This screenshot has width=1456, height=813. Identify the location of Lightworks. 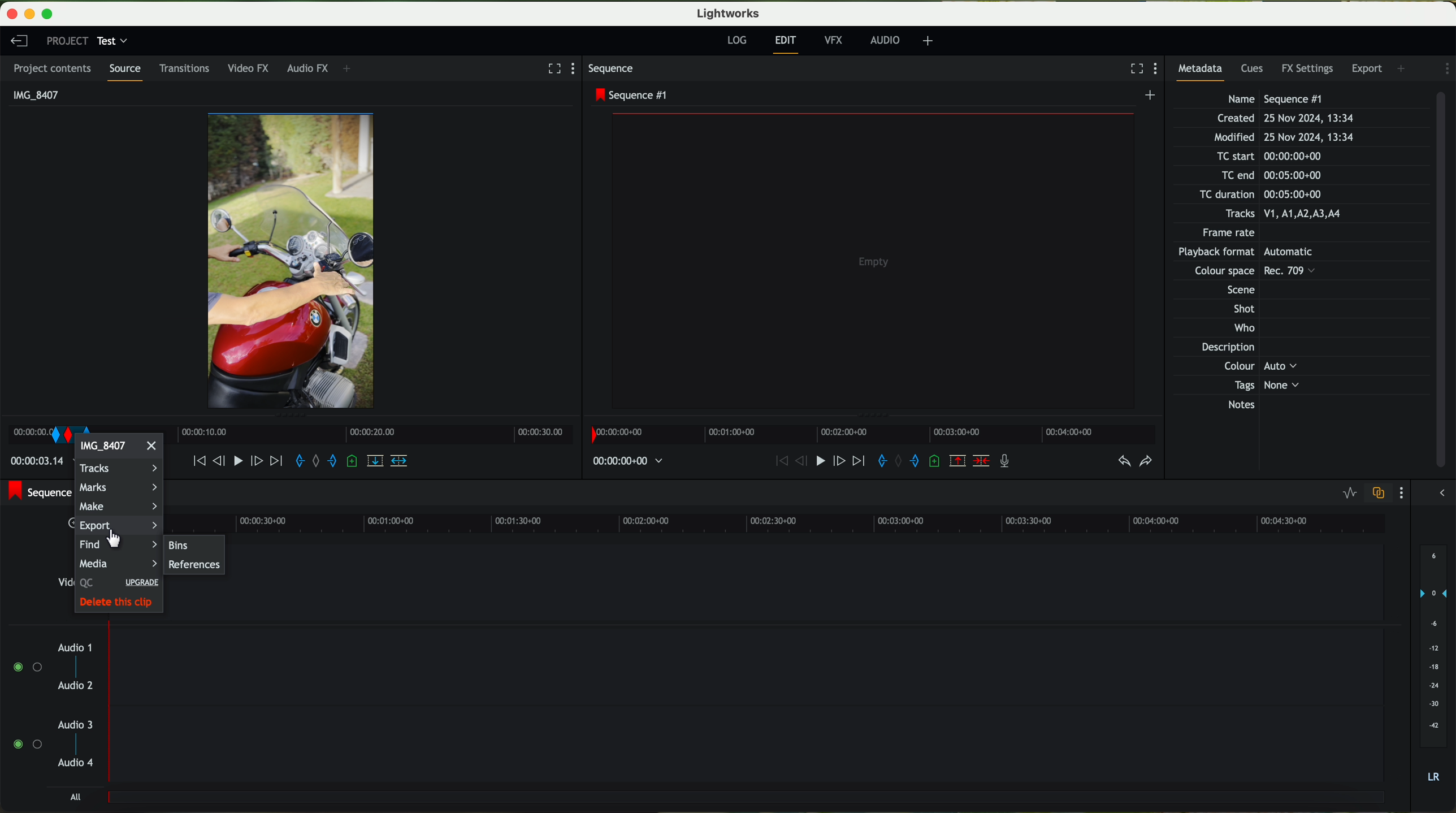
(727, 14).